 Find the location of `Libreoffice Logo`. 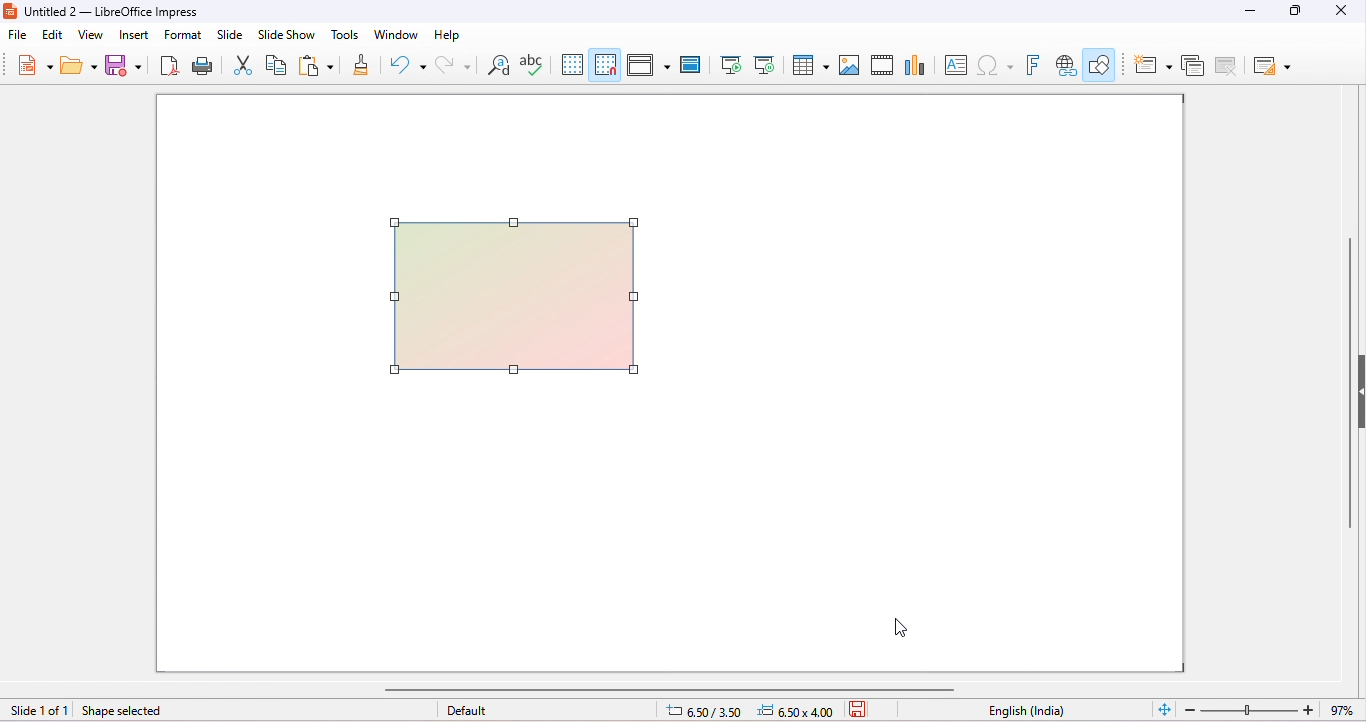

Libreoffice Logo is located at coordinates (9, 9).